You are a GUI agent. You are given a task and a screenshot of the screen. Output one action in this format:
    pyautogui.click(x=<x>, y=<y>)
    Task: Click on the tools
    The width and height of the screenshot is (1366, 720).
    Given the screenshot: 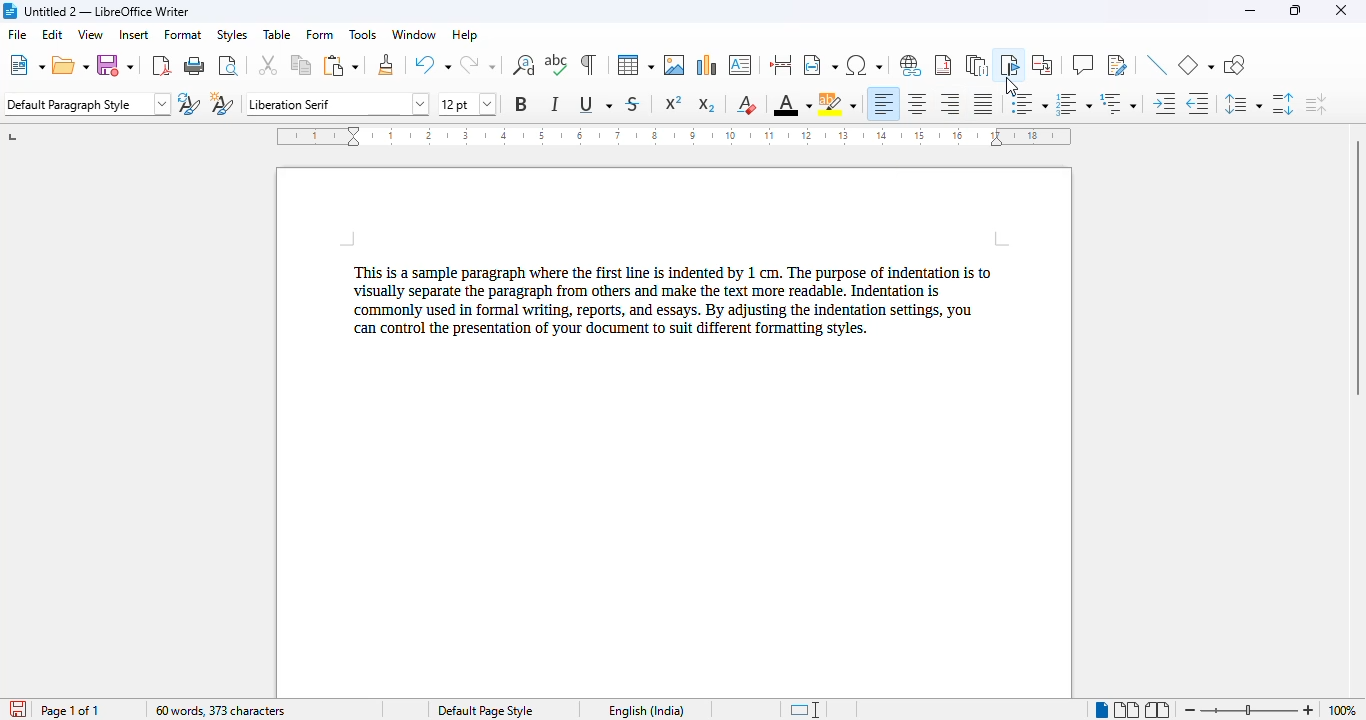 What is the action you would take?
    pyautogui.click(x=362, y=34)
    